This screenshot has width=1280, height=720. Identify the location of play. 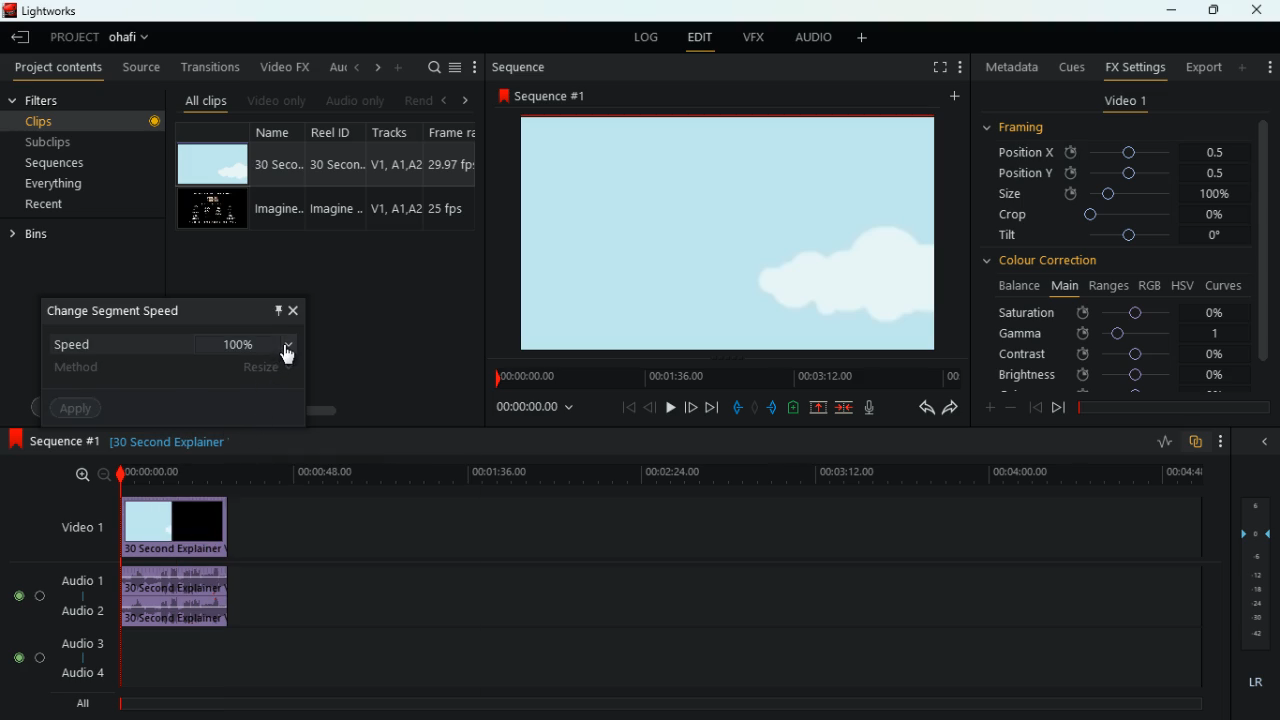
(671, 407).